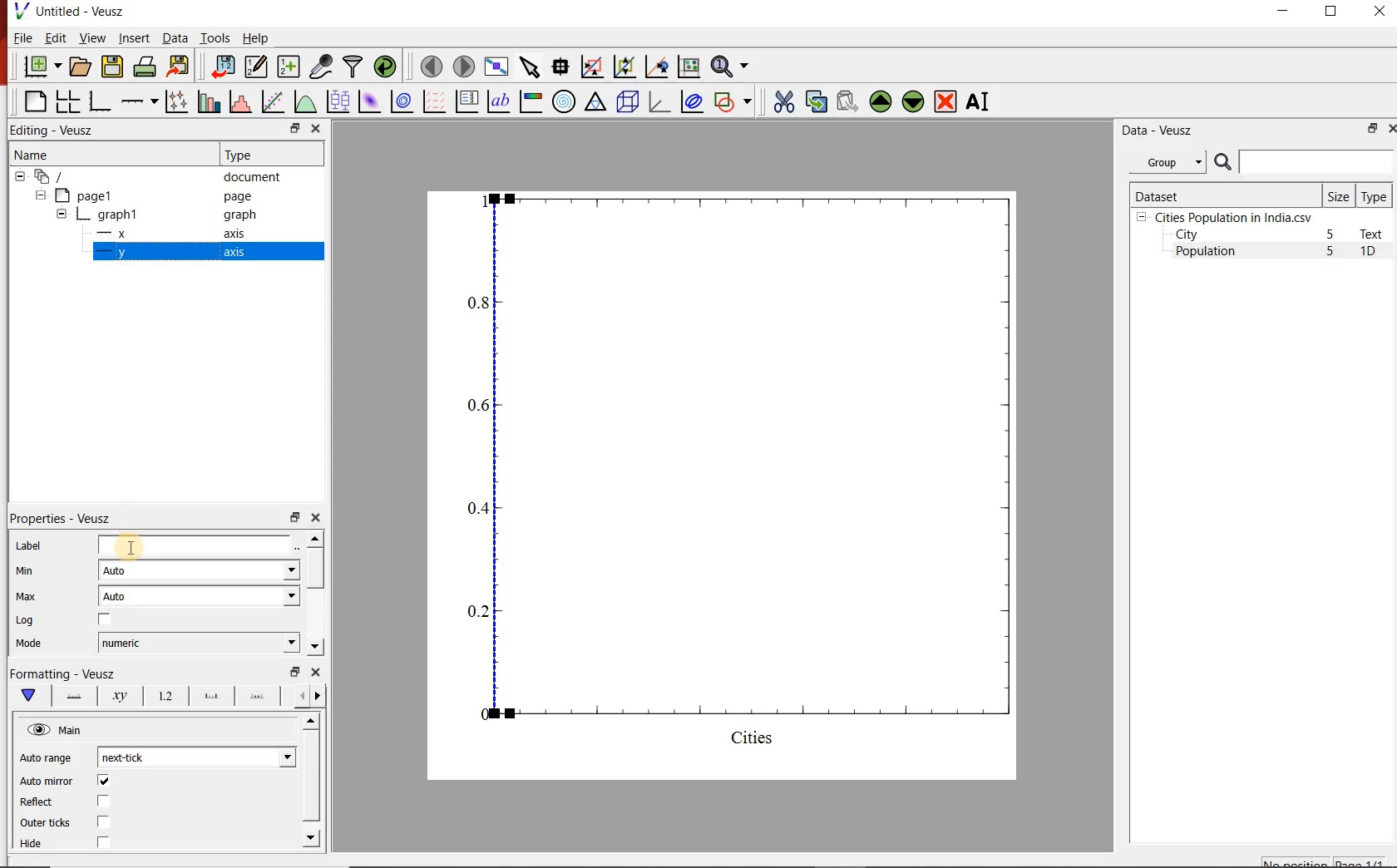  I want to click on import data into Veusz, so click(222, 66).